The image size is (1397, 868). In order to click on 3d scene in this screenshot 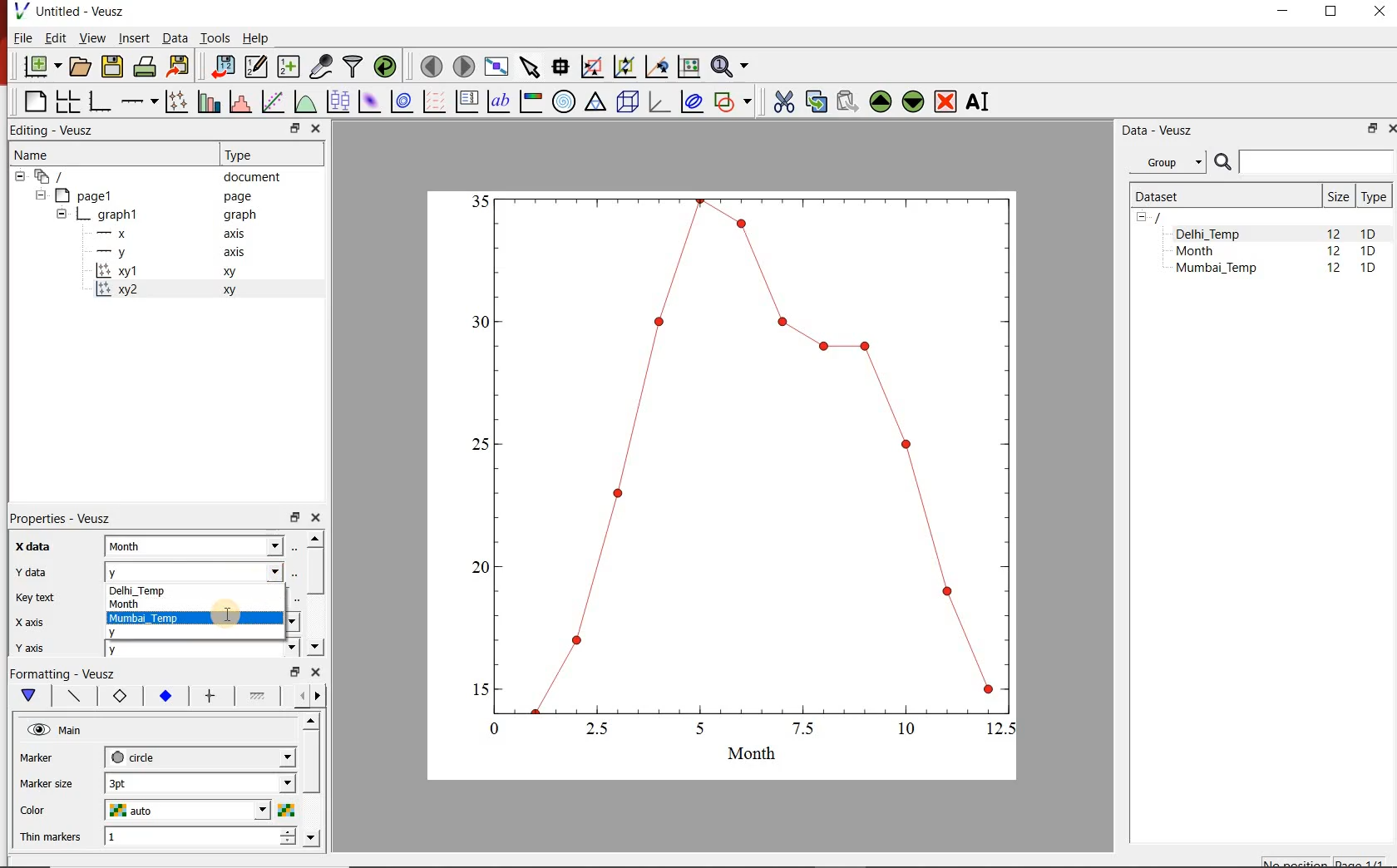, I will do `click(626, 102)`.